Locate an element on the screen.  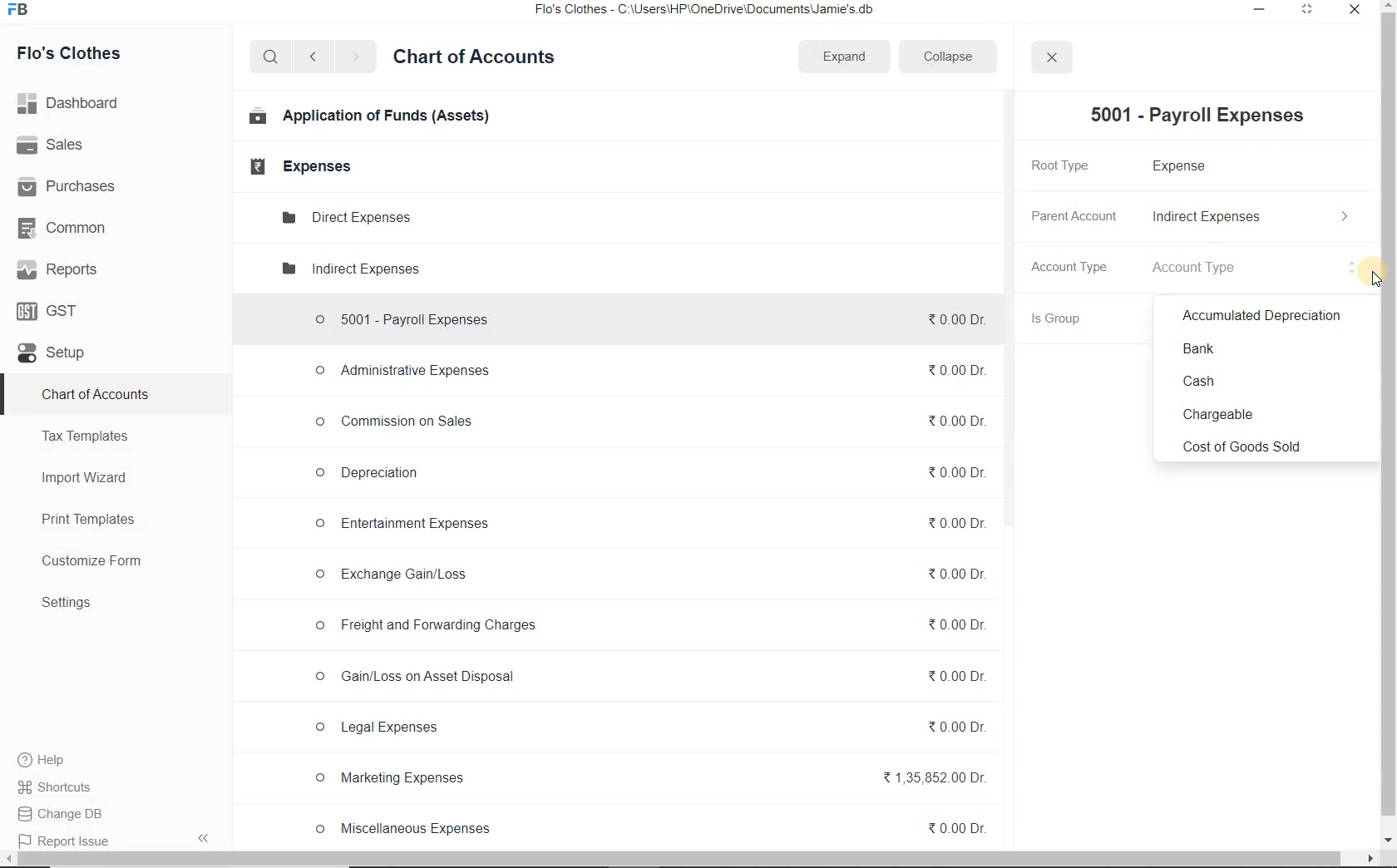
Purchases is located at coordinates (69, 187).